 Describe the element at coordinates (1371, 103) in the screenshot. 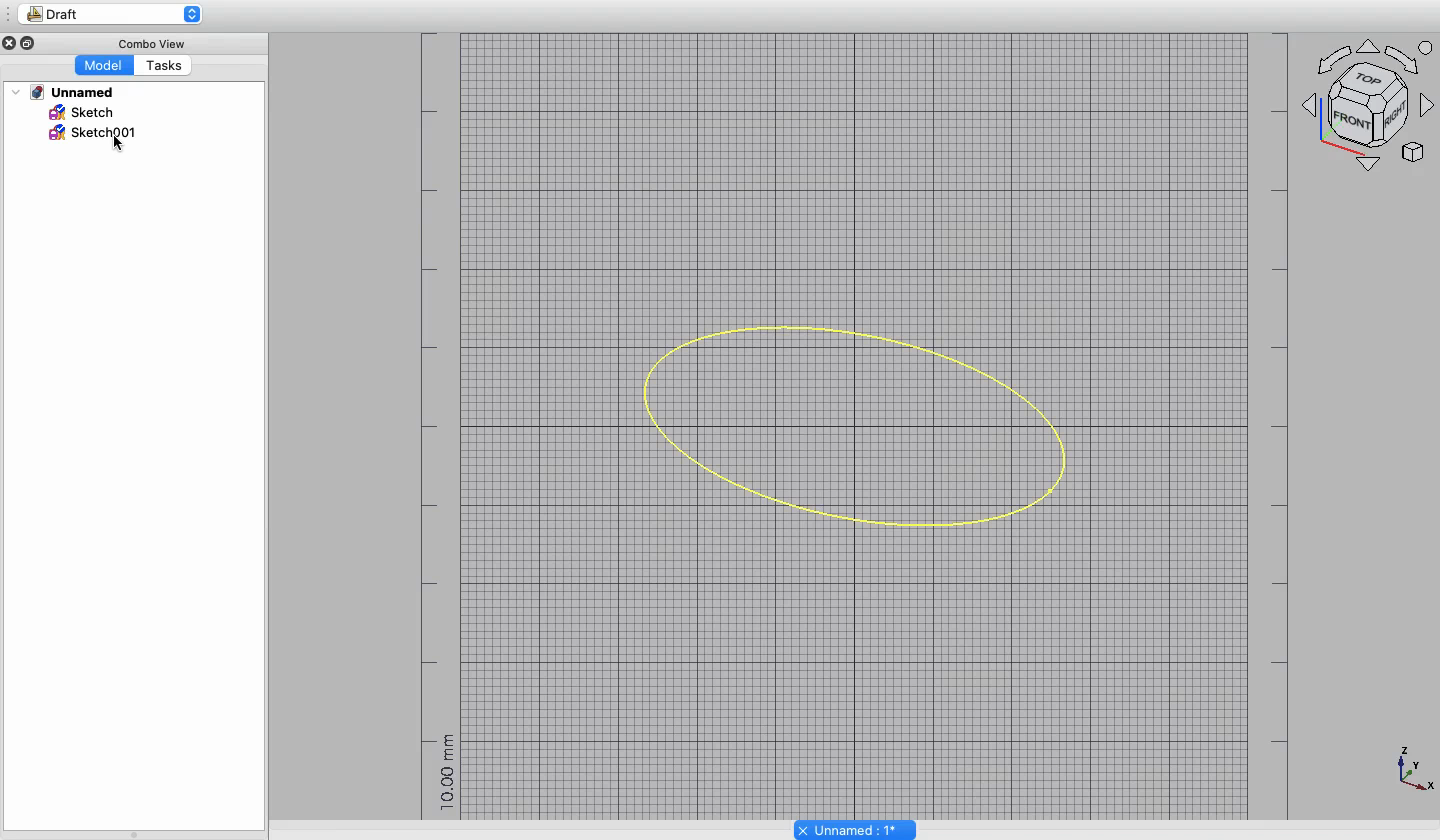

I see `Axes` at that location.